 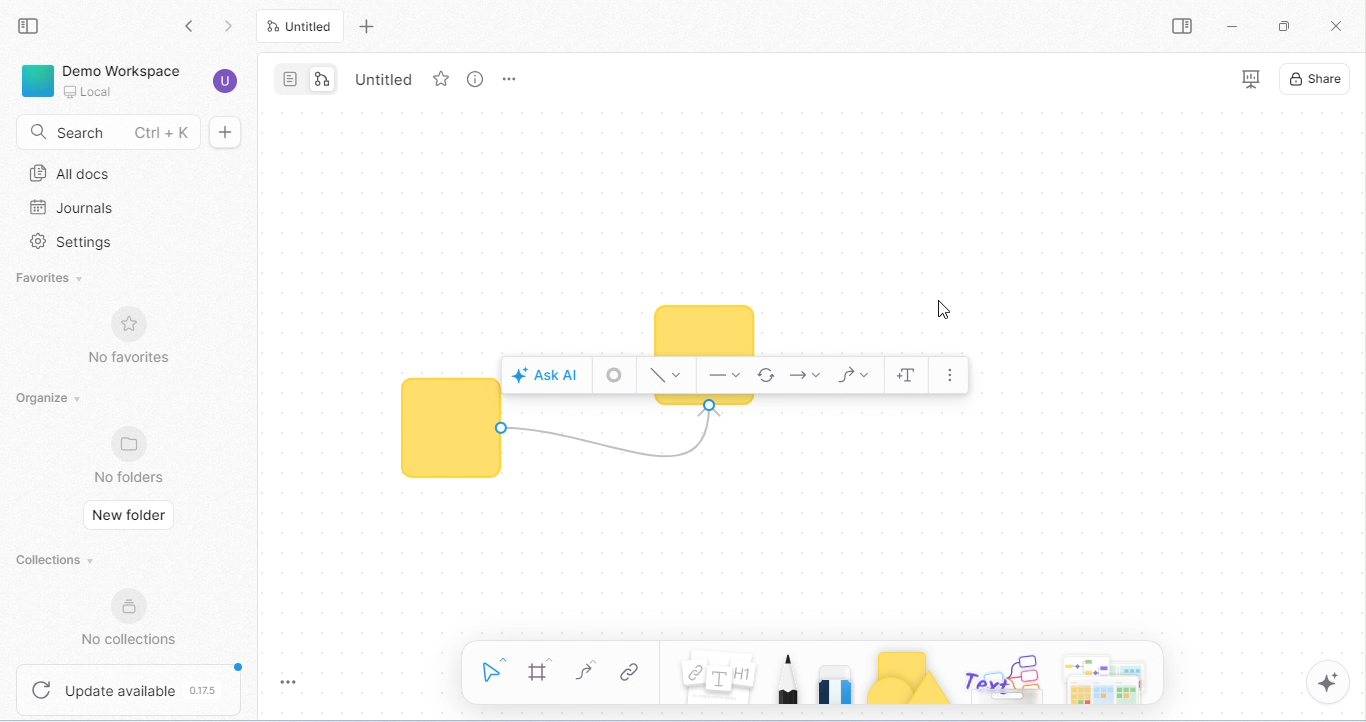 What do you see at coordinates (131, 688) in the screenshot?
I see `update available` at bounding box center [131, 688].